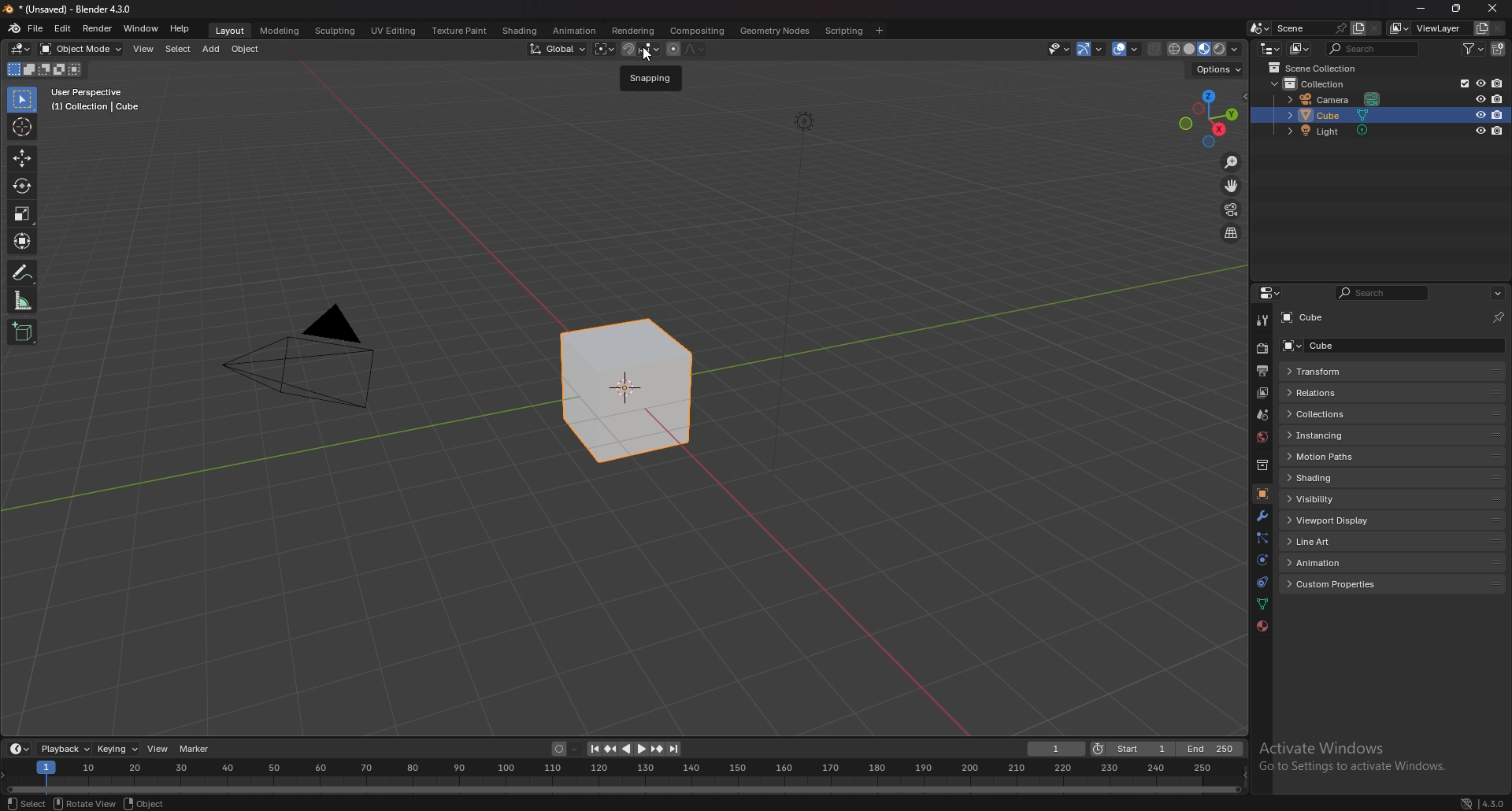  What do you see at coordinates (231, 31) in the screenshot?
I see `layout` at bounding box center [231, 31].